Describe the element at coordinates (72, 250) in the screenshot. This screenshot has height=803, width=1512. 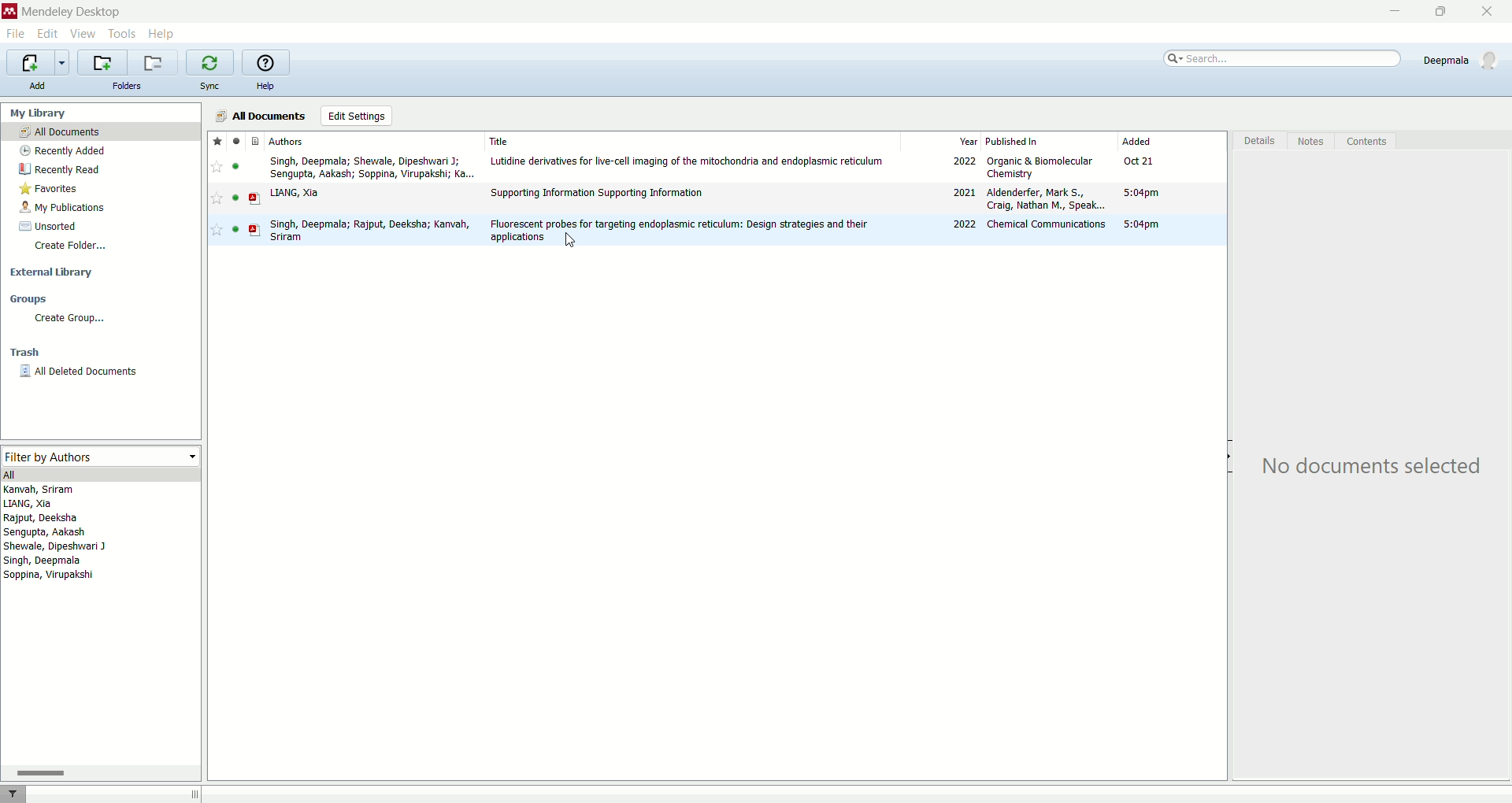
I see `create folder` at that location.